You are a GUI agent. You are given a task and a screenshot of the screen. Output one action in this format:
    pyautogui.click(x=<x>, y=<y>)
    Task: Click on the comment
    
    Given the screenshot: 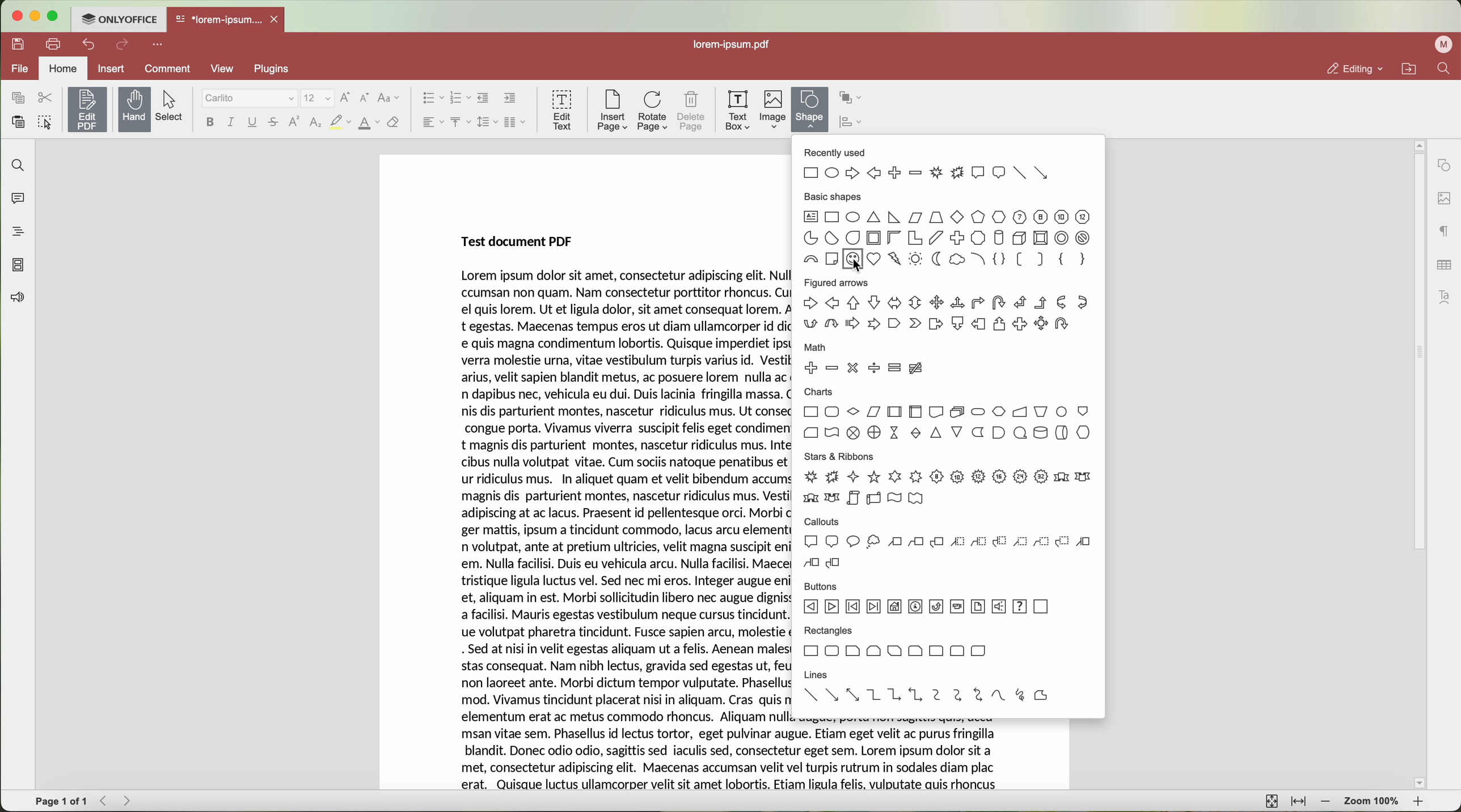 What is the action you would take?
    pyautogui.click(x=166, y=69)
    